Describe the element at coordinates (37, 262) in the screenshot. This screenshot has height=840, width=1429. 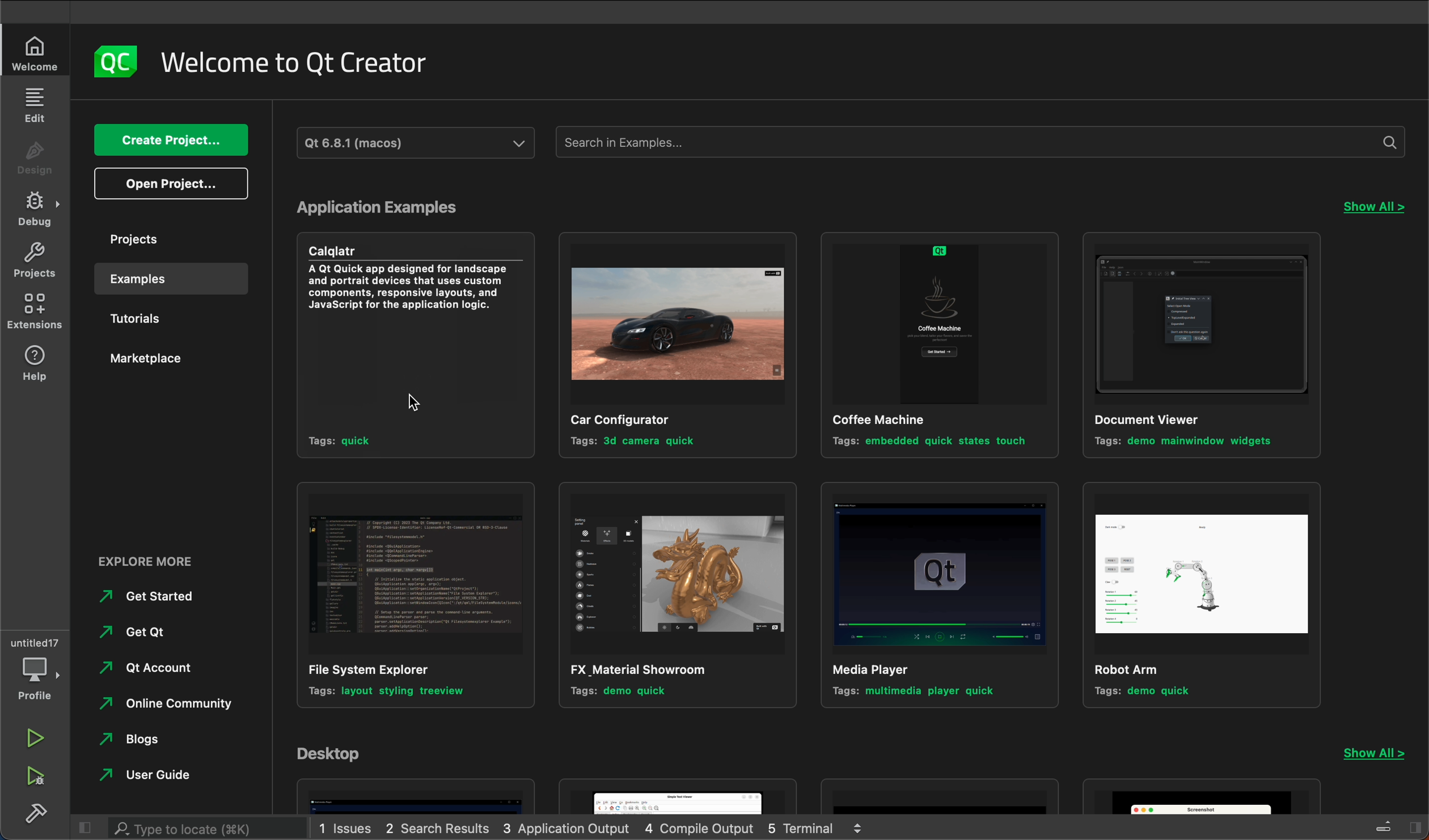
I see `projects` at that location.